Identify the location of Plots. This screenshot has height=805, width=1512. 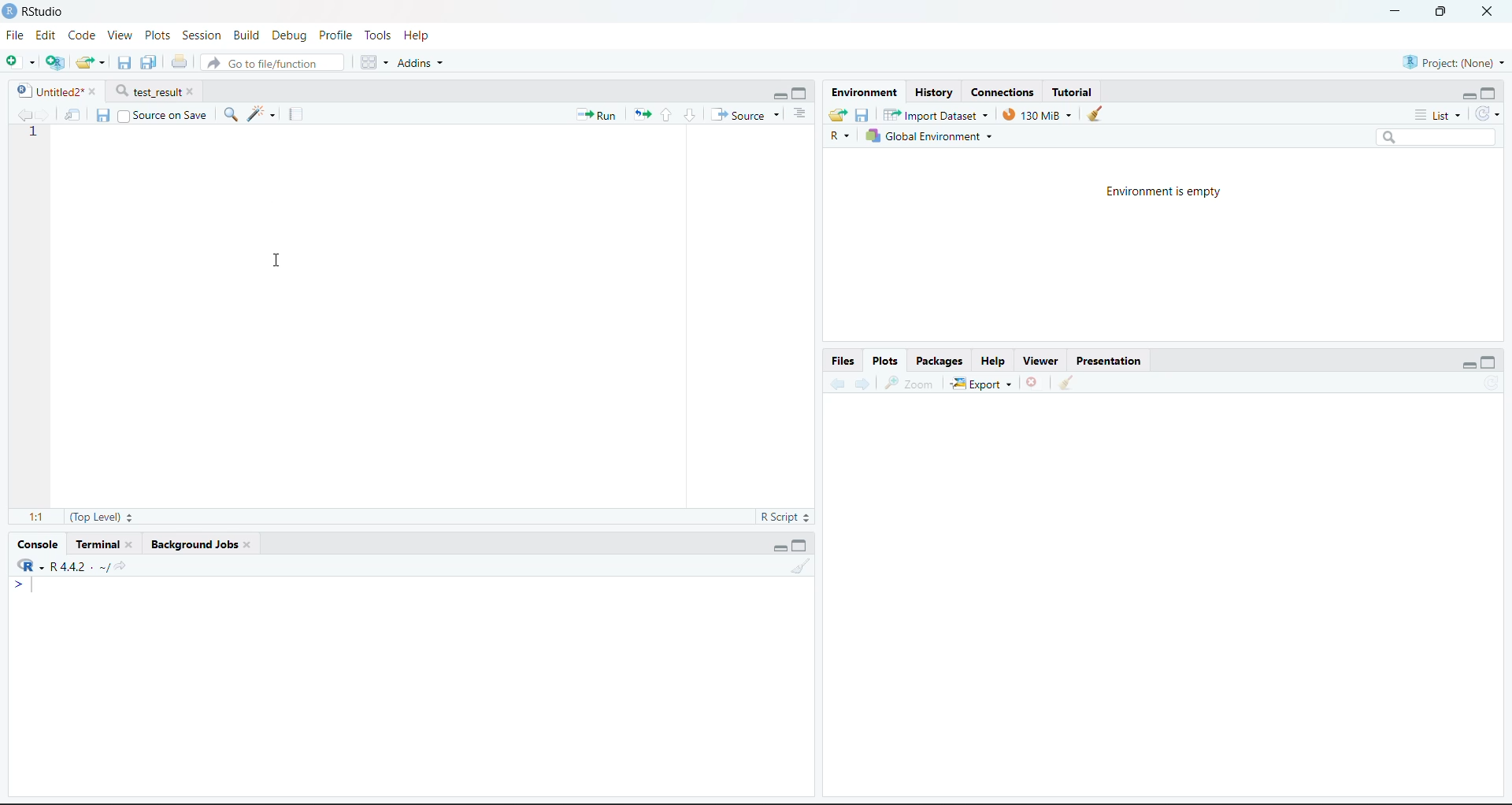
(154, 34).